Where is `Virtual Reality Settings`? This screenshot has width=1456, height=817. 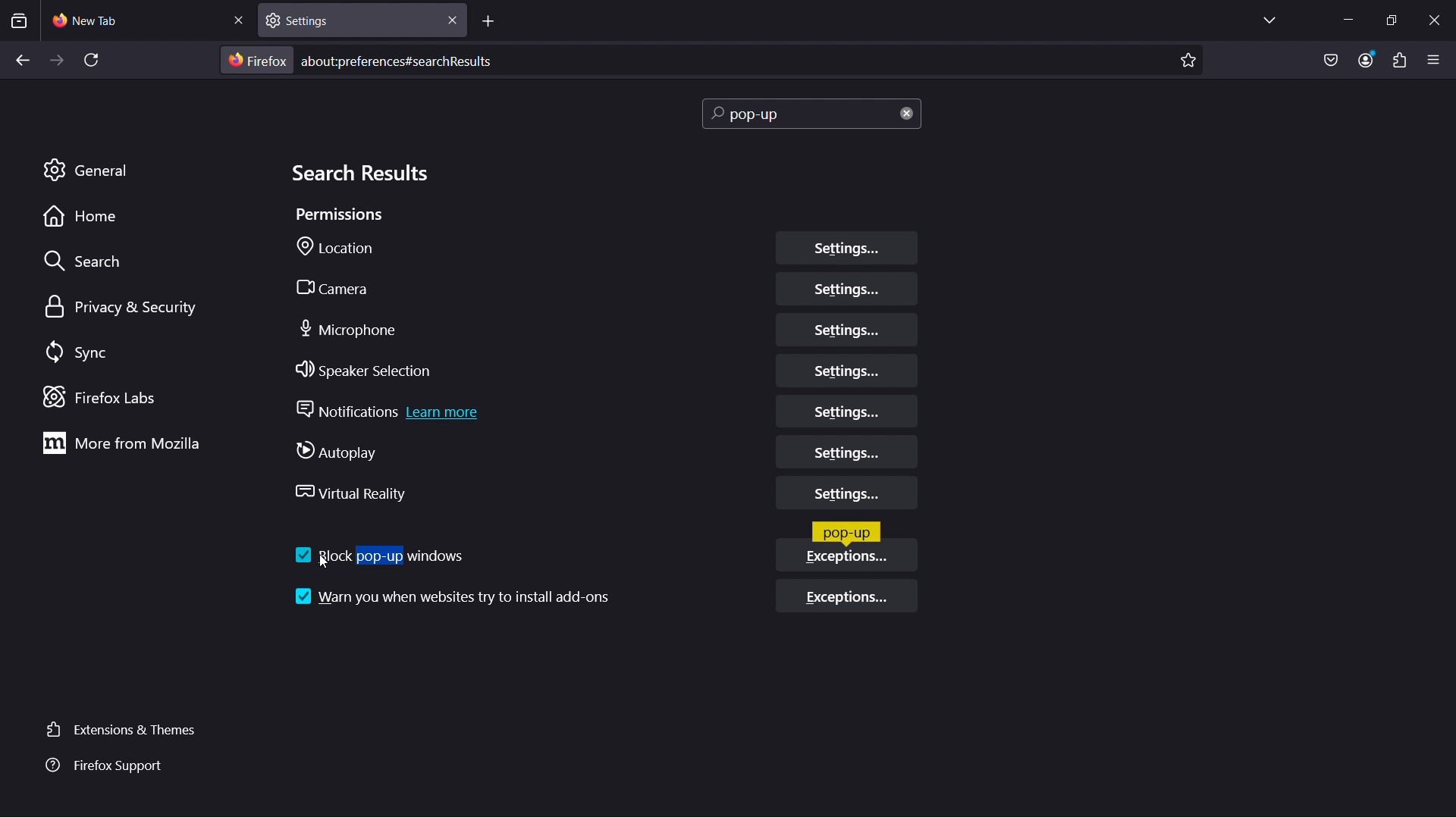 Virtual Reality Settings is located at coordinates (846, 496).